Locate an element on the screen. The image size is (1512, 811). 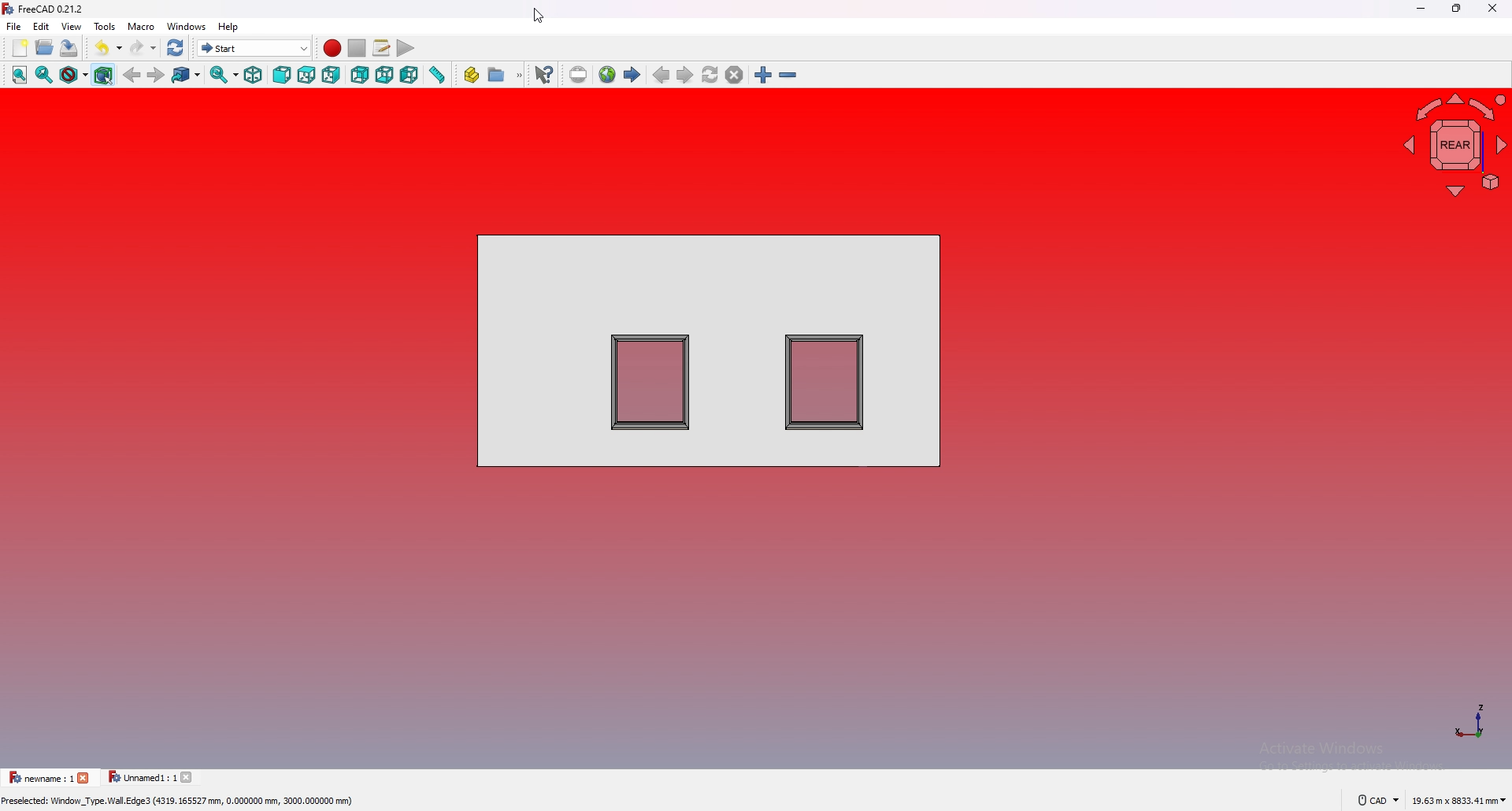
set url is located at coordinates (578, 75).